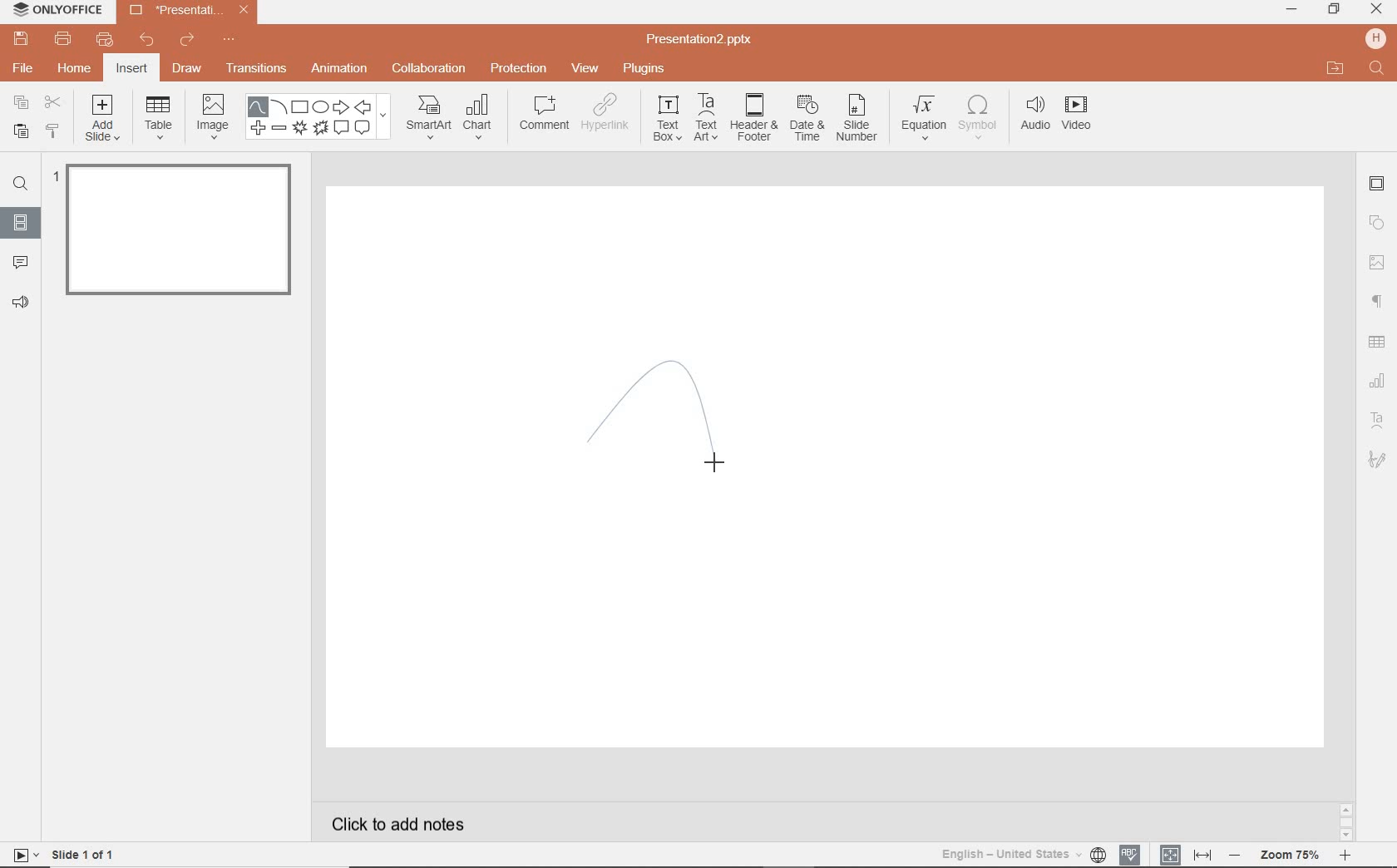 The height and width of the screenshot is (868, 1397). What do you see at coordinates (427, 119) in the screenshot?
I see `SMART ART` at bounding box center [427, 119].